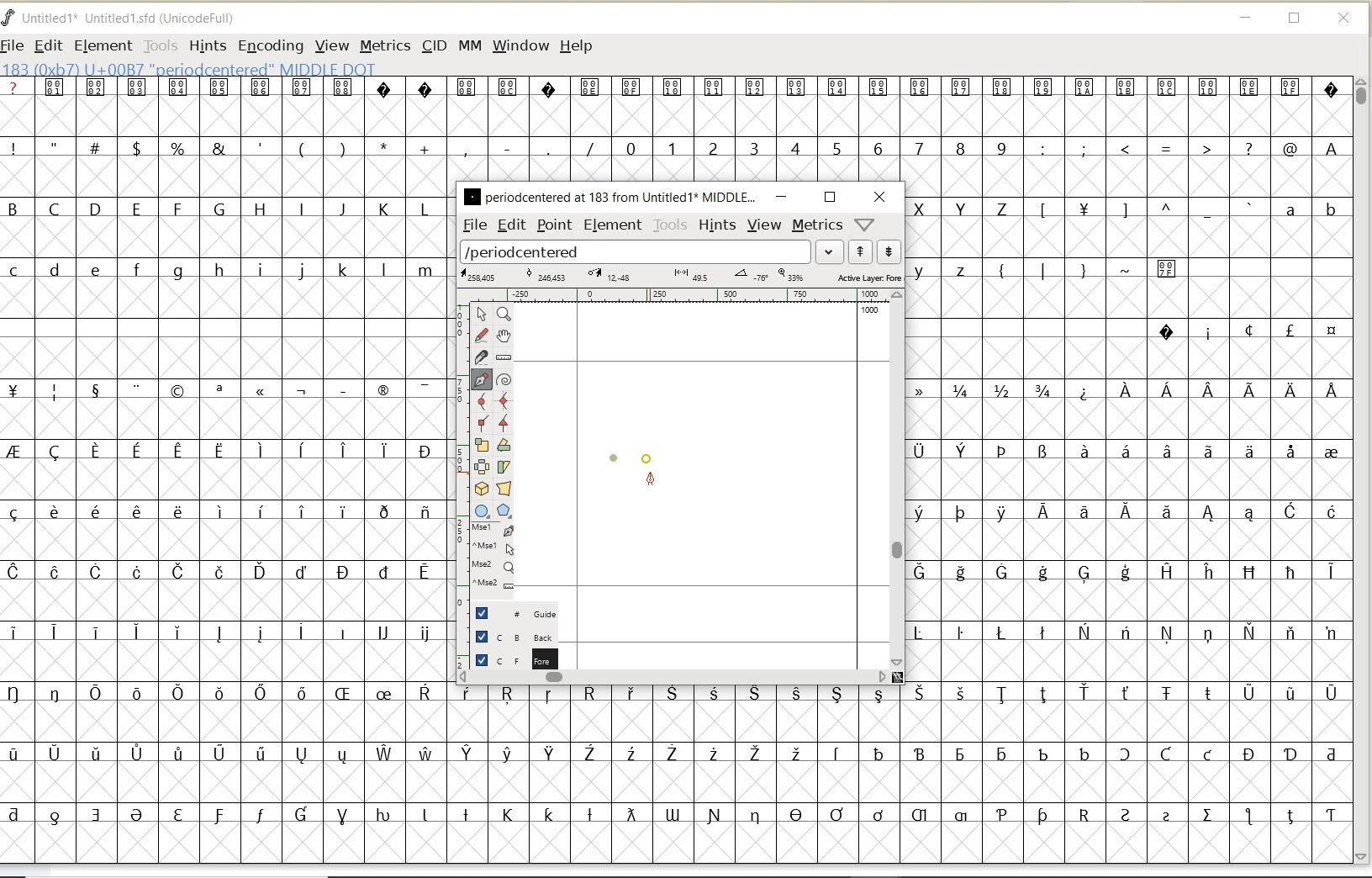 The image size is (1372, 878). What do you see at coordinates (964, 208) in the screenshot?
I see `uppercase letters` at bounding box center [964, 208].